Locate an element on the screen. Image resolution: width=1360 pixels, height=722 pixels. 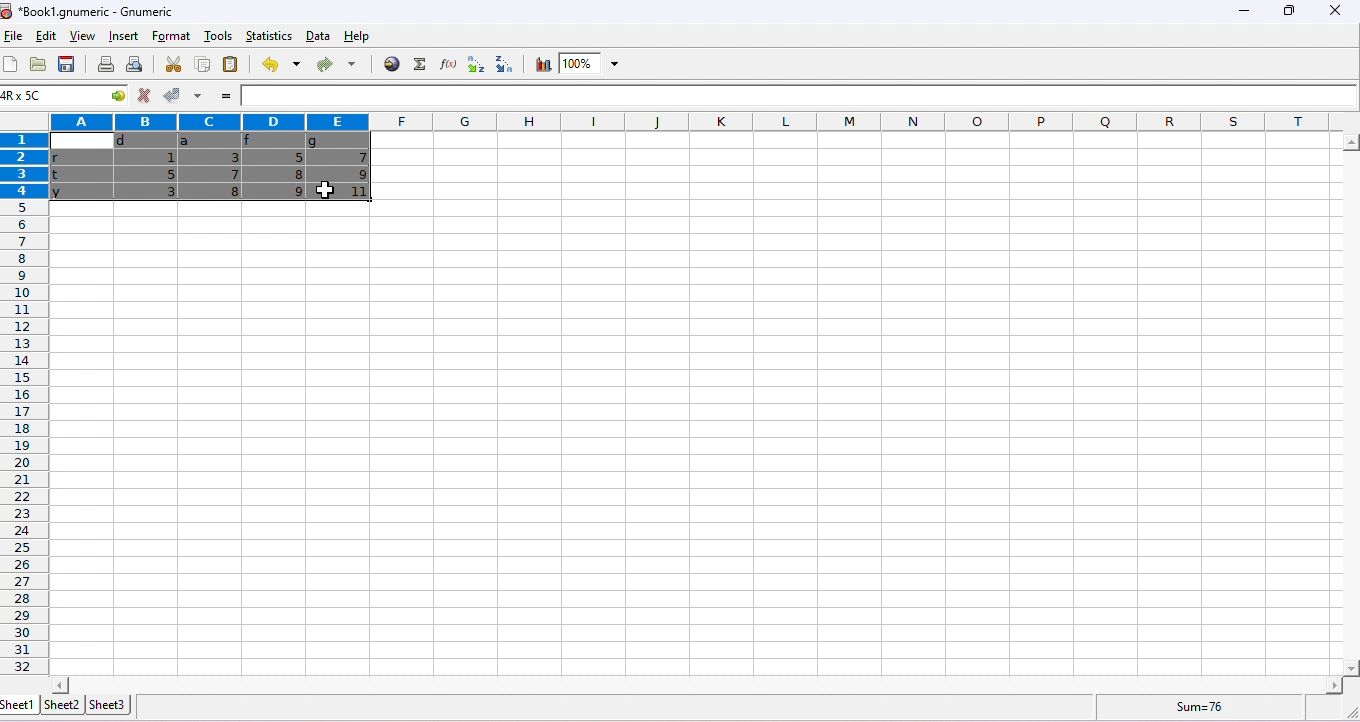
paste is located at coordinates (232, 66).